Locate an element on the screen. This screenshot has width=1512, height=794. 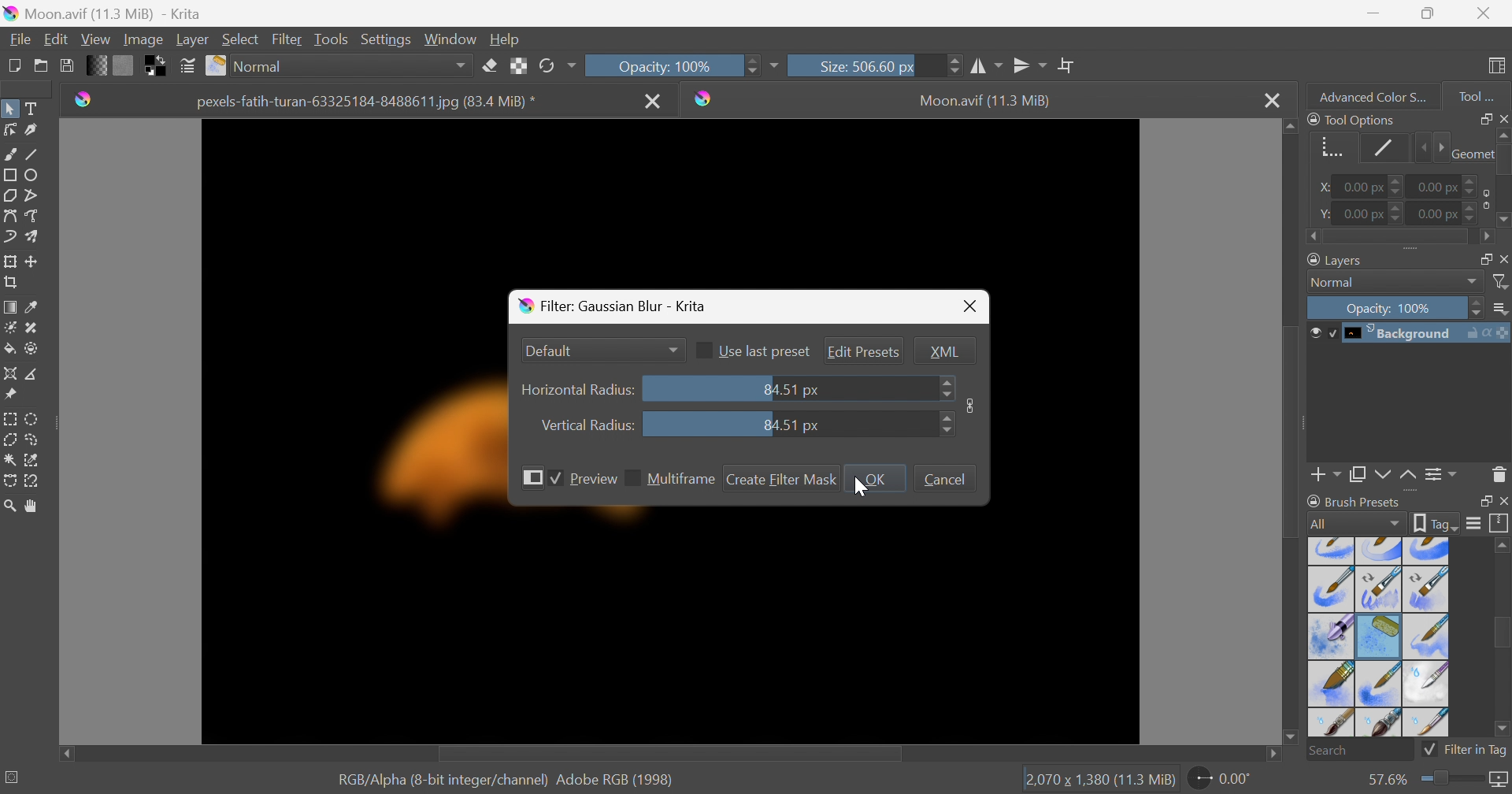
Edit brush settings is located at coordinates (185, 64).